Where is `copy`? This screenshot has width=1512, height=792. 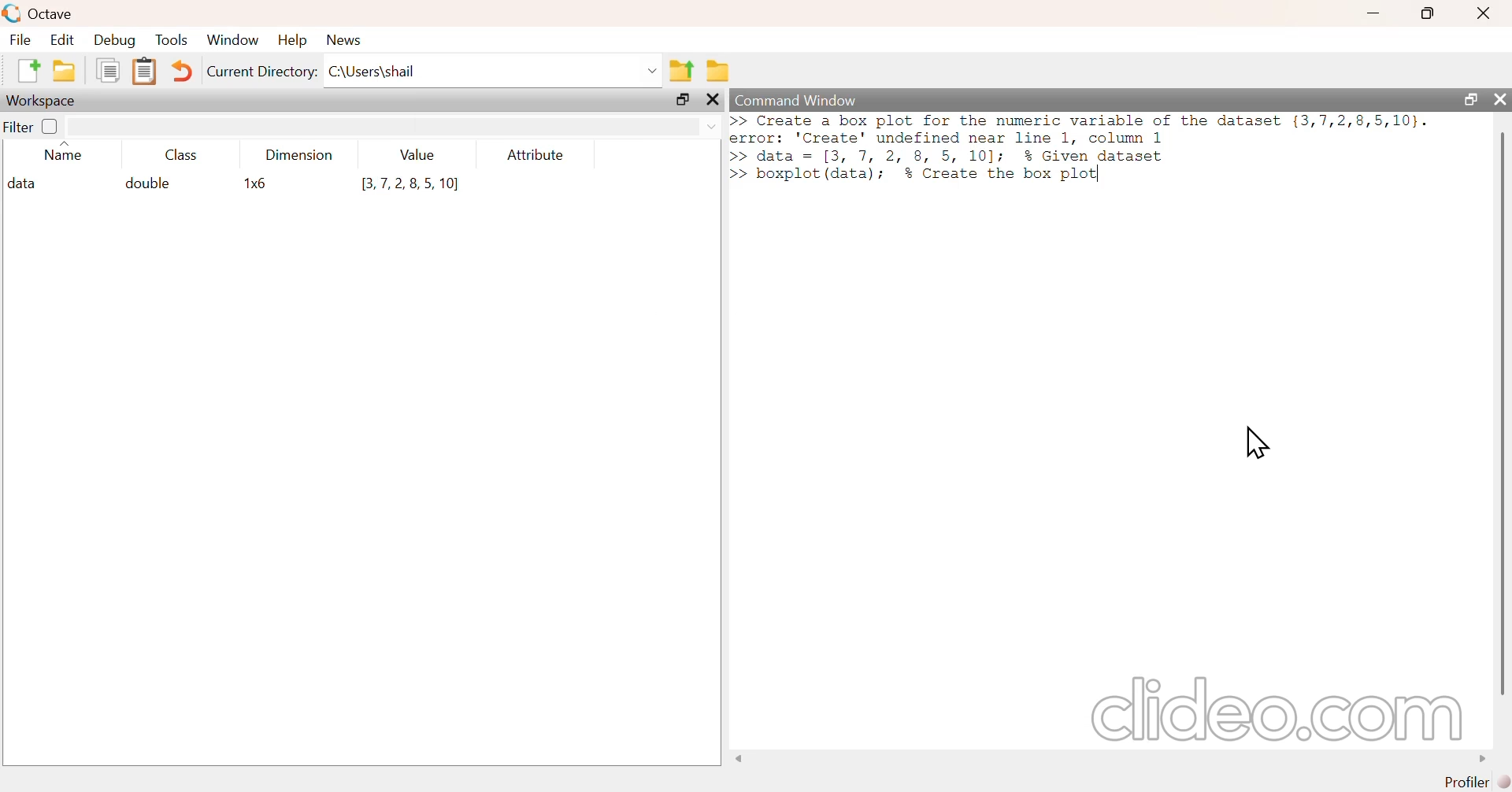 copy is located at coordinates (103, 72).